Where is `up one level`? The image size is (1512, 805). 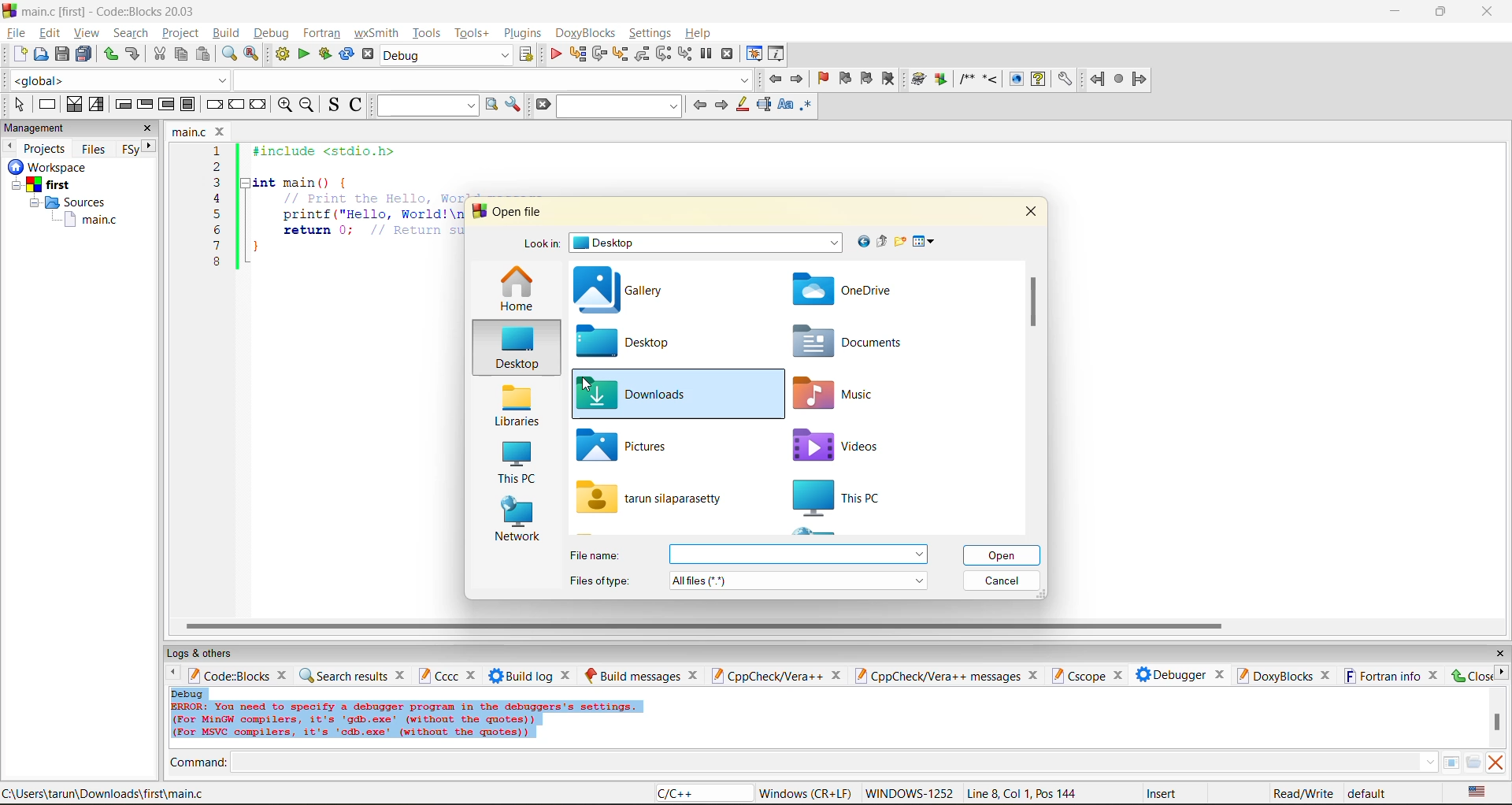
up one level is located at coordinates (881, 242).